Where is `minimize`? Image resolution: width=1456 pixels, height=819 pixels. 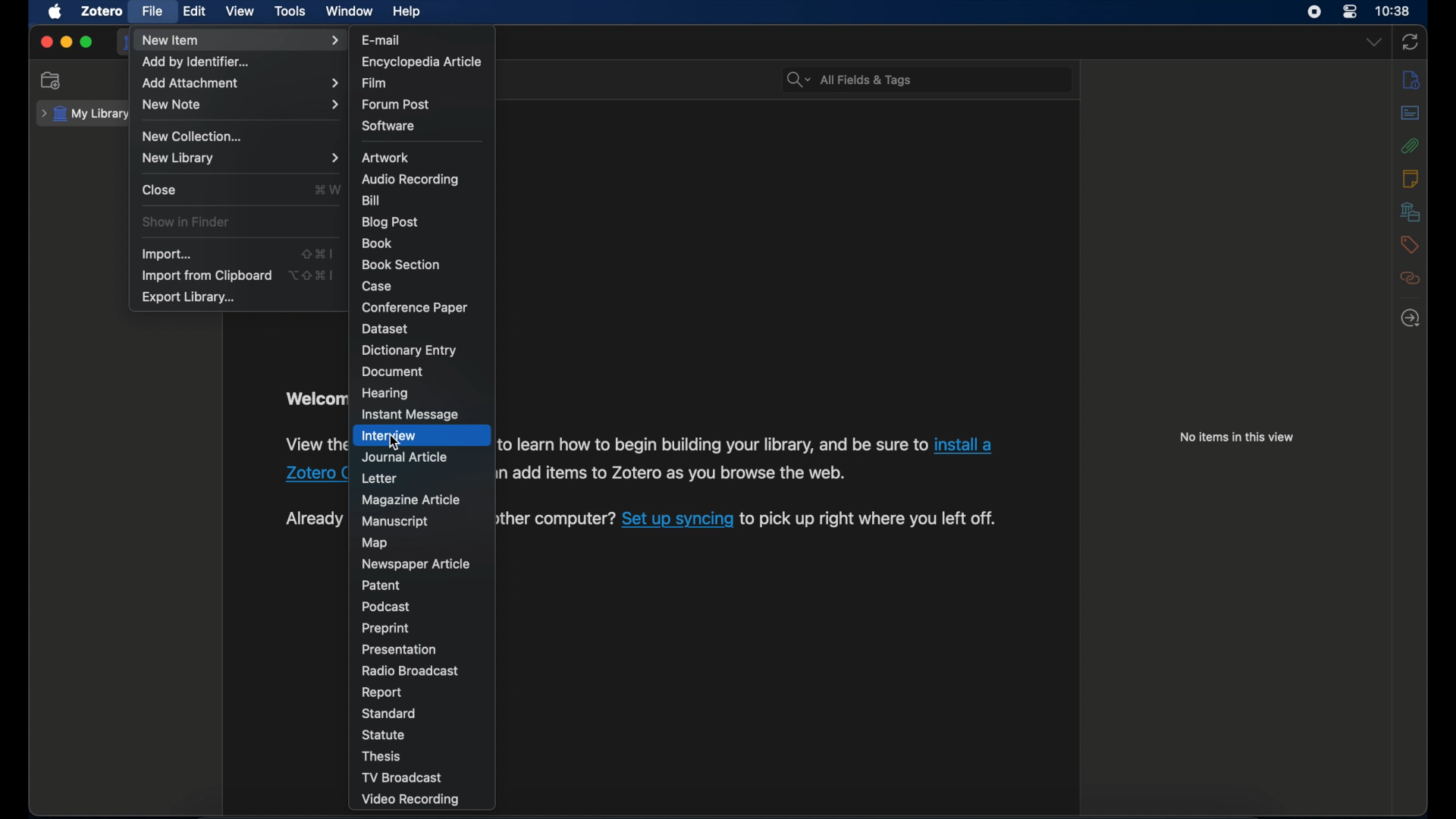 minimize is located at coordinates (65, 42).